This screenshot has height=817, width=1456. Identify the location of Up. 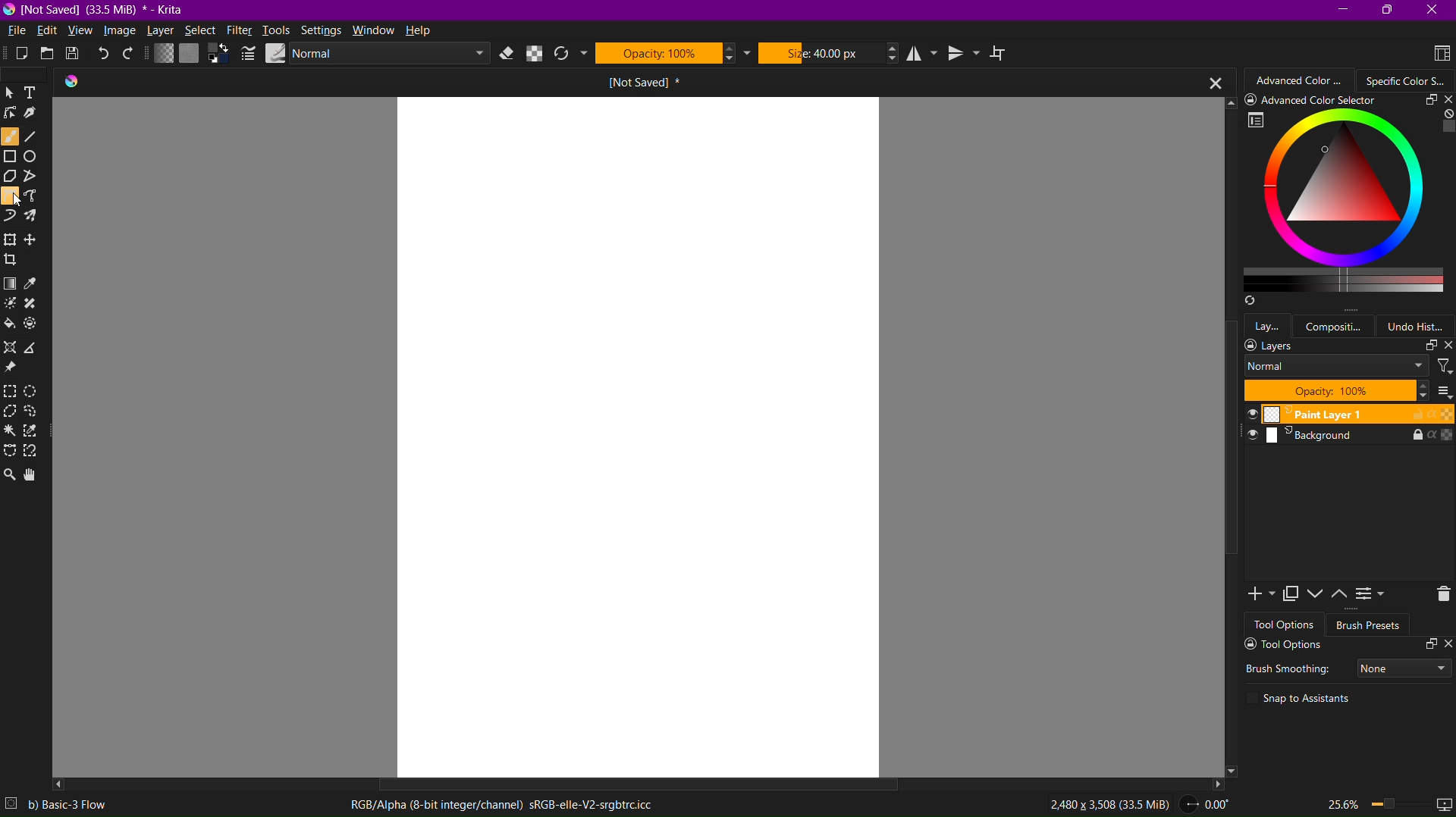
(1226, 102).